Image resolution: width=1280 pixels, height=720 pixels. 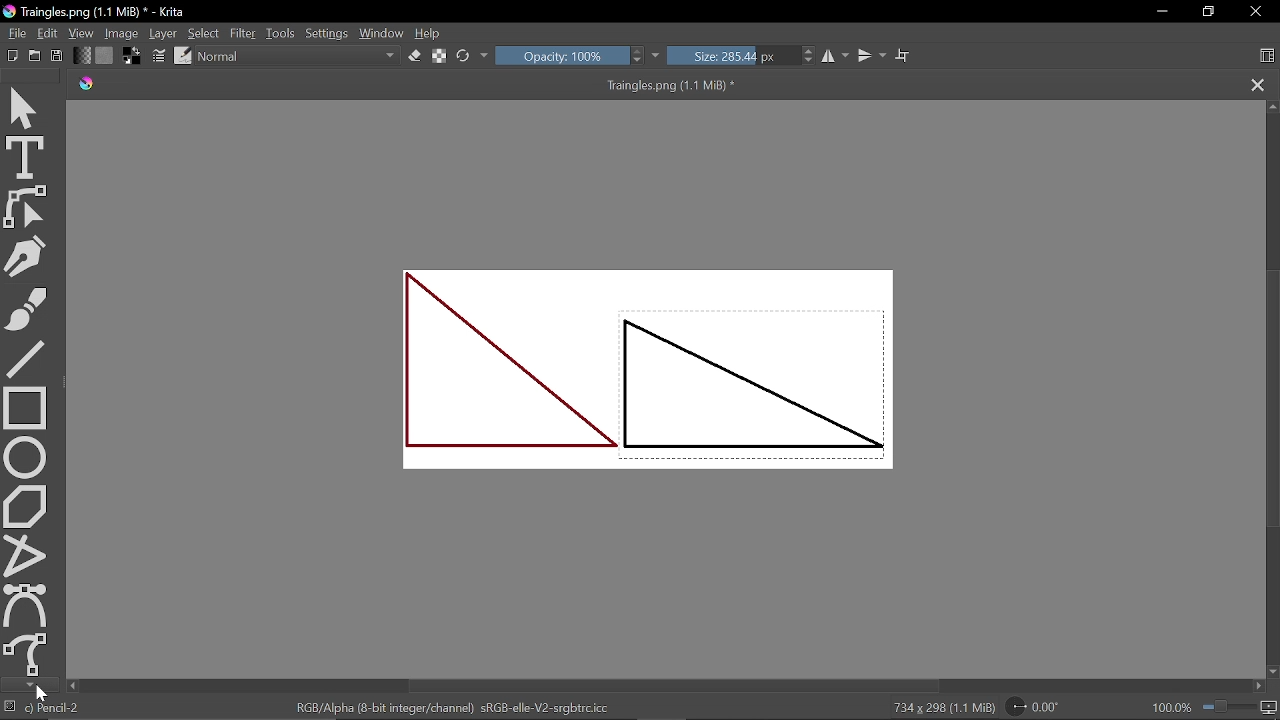 I want to click on Line tool, so click(x=28, y=357).